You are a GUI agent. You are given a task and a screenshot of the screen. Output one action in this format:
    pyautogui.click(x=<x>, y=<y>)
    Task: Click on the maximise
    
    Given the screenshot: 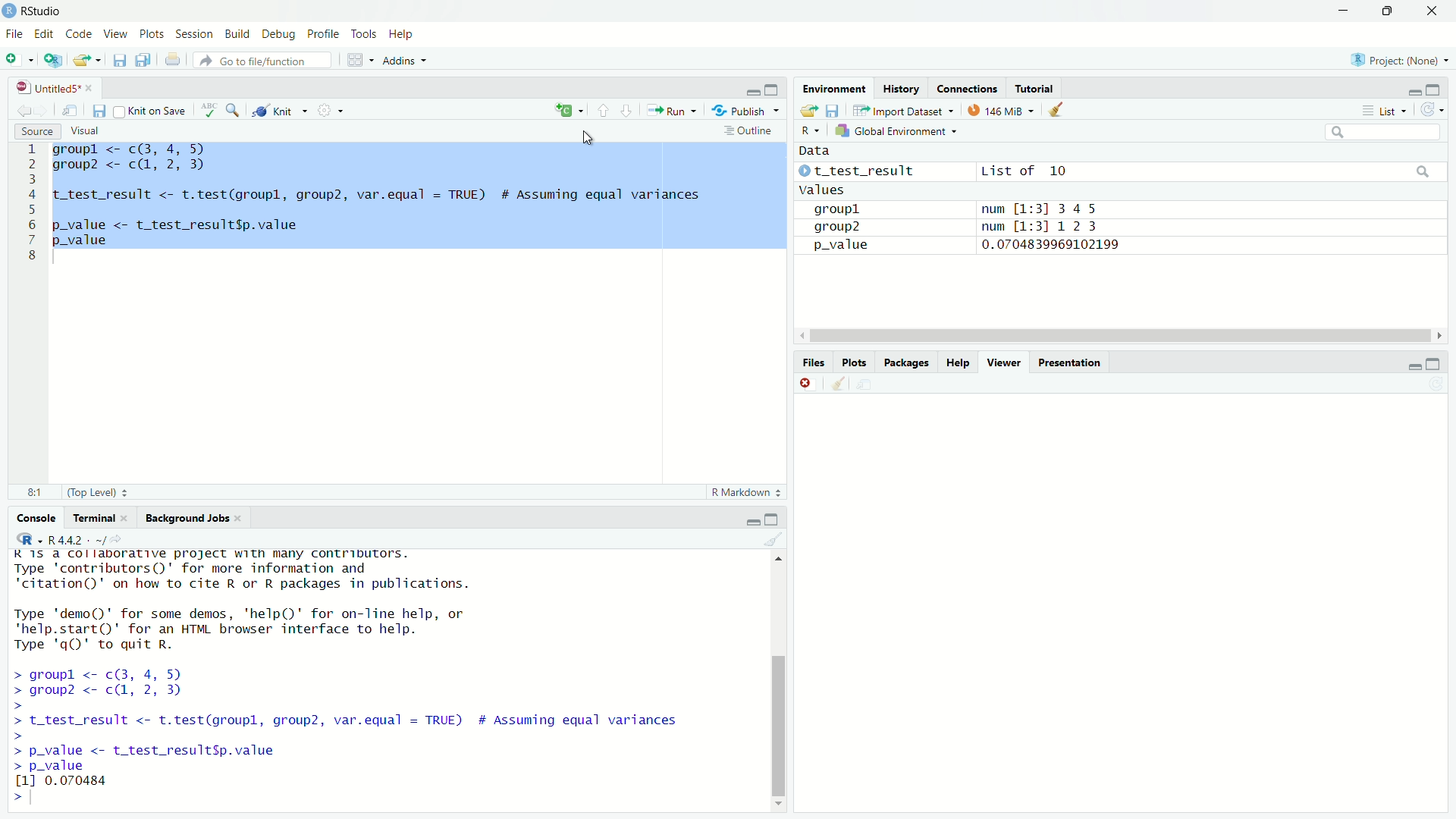 What is the action you would take?
    pyautogui.click(x=1436, y=361)
    